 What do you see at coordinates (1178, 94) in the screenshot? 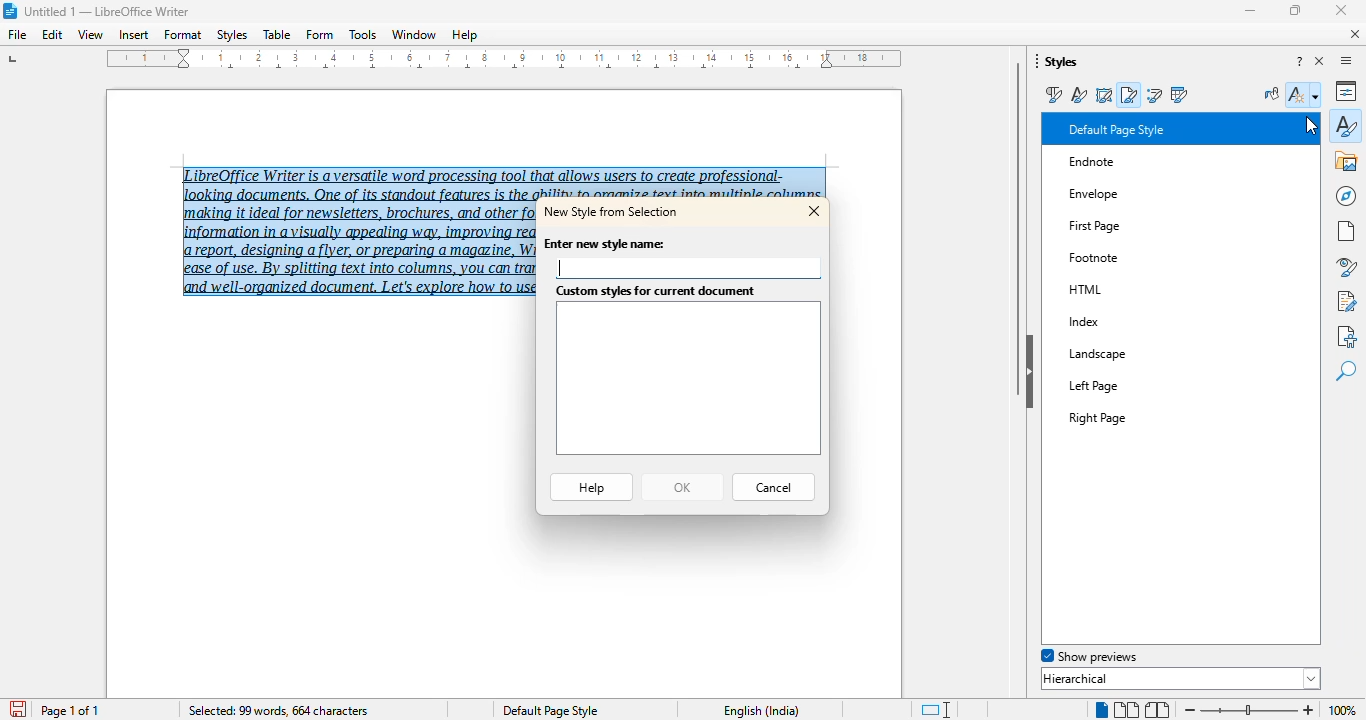
I see `table styles` at bounding box center [1178, 94].